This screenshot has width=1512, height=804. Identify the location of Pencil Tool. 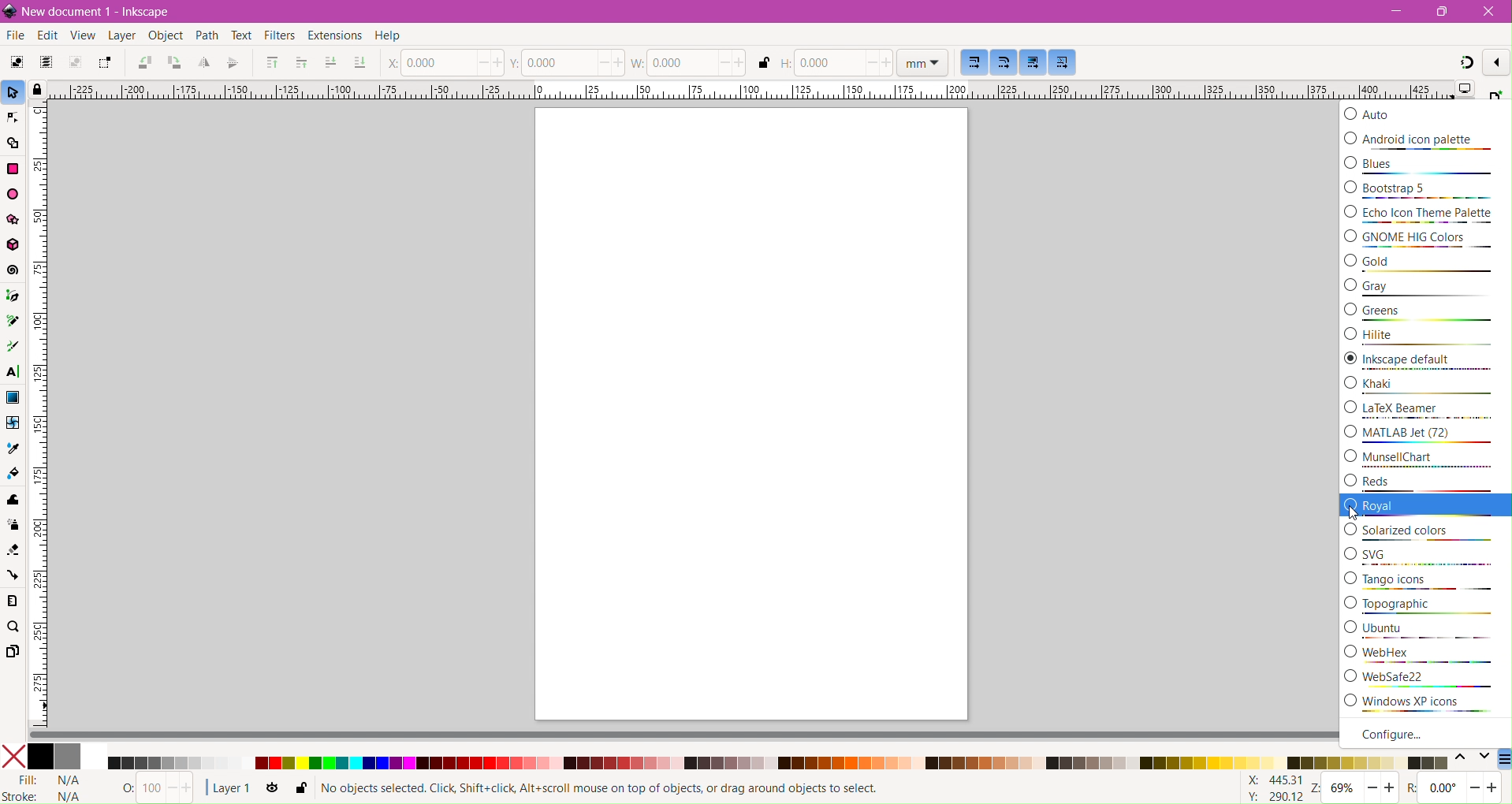
(13, 321).